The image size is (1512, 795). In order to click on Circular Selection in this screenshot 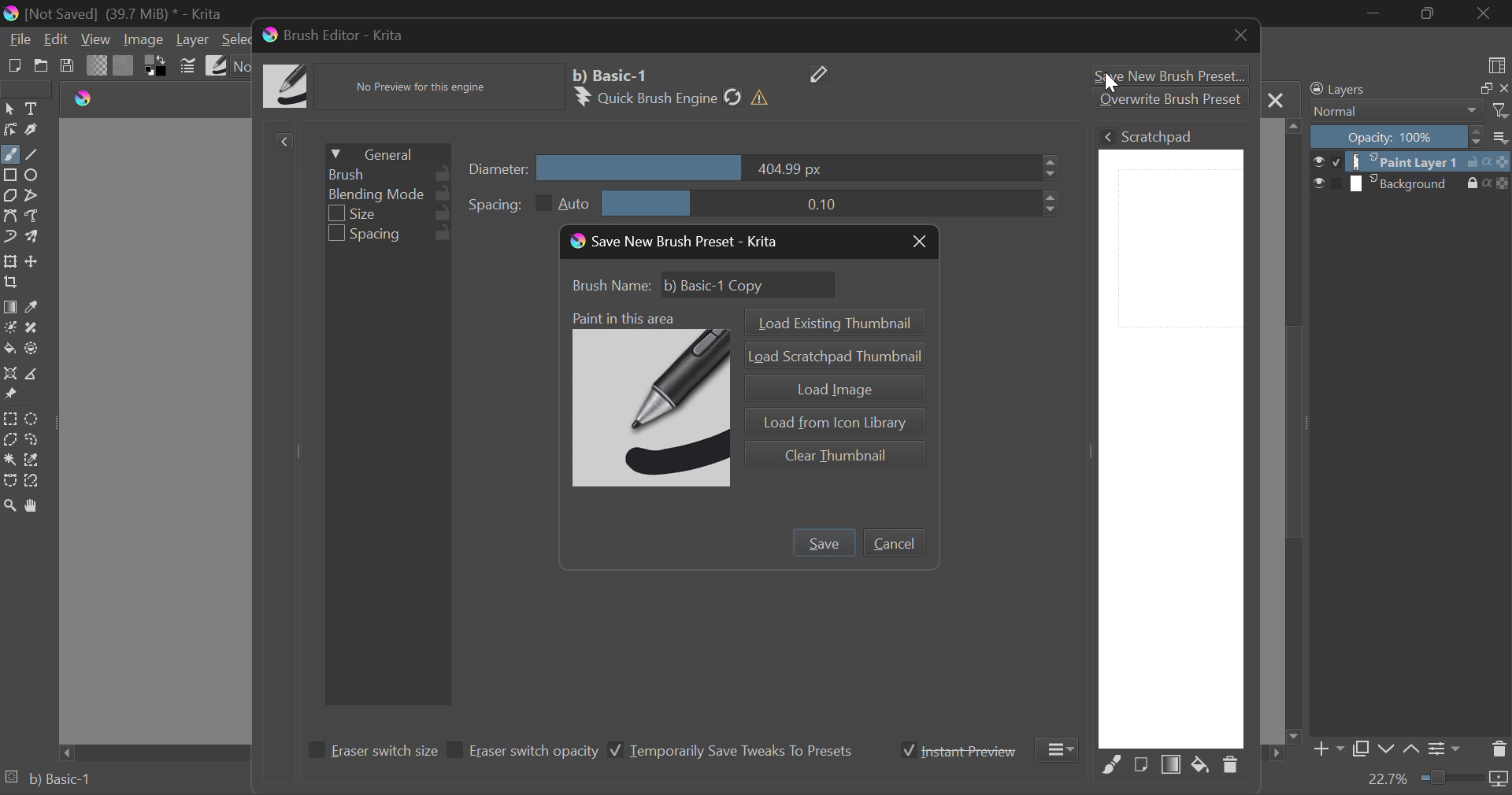, I will do `click(32, 419)`.